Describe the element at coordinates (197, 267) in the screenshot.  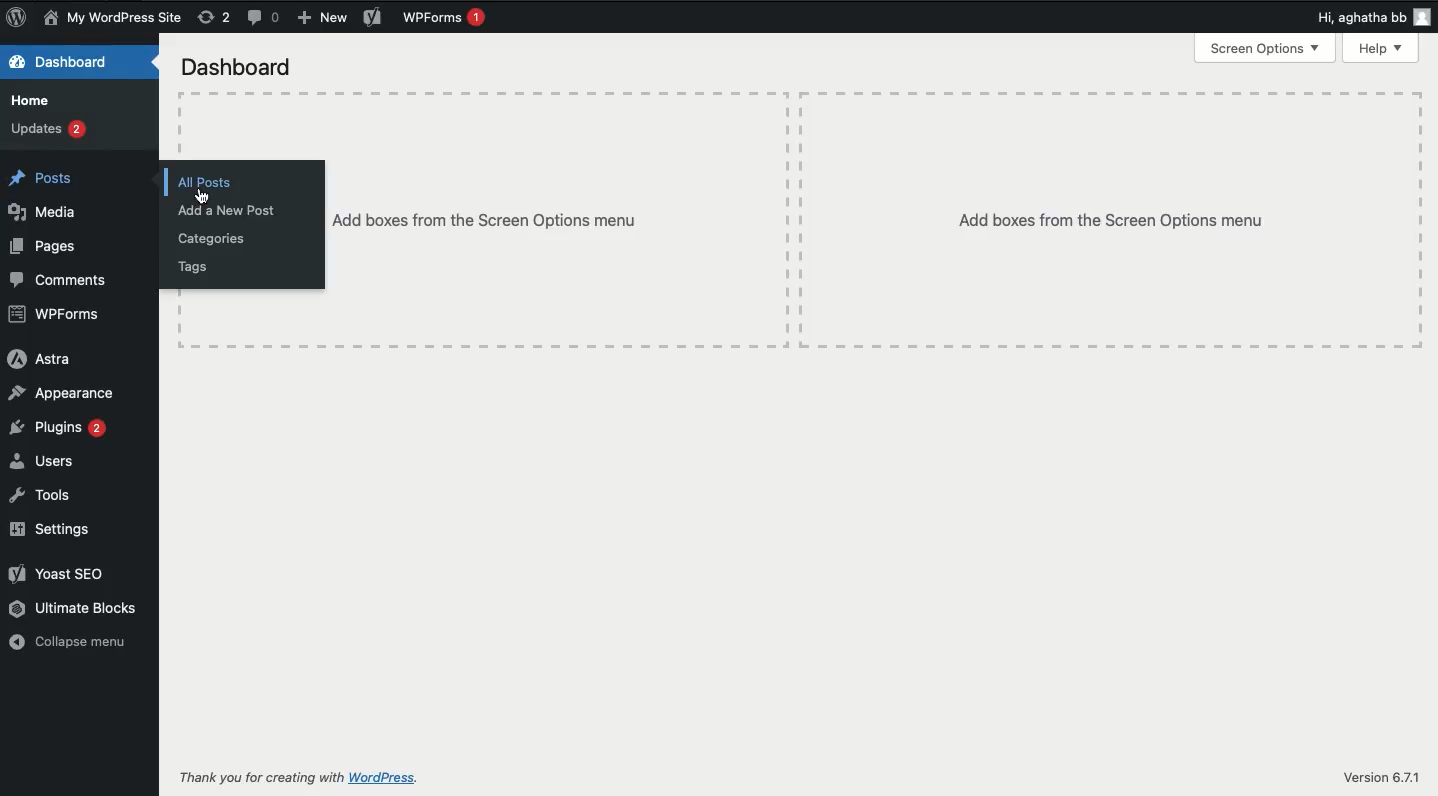
I see `Tags` at that location.